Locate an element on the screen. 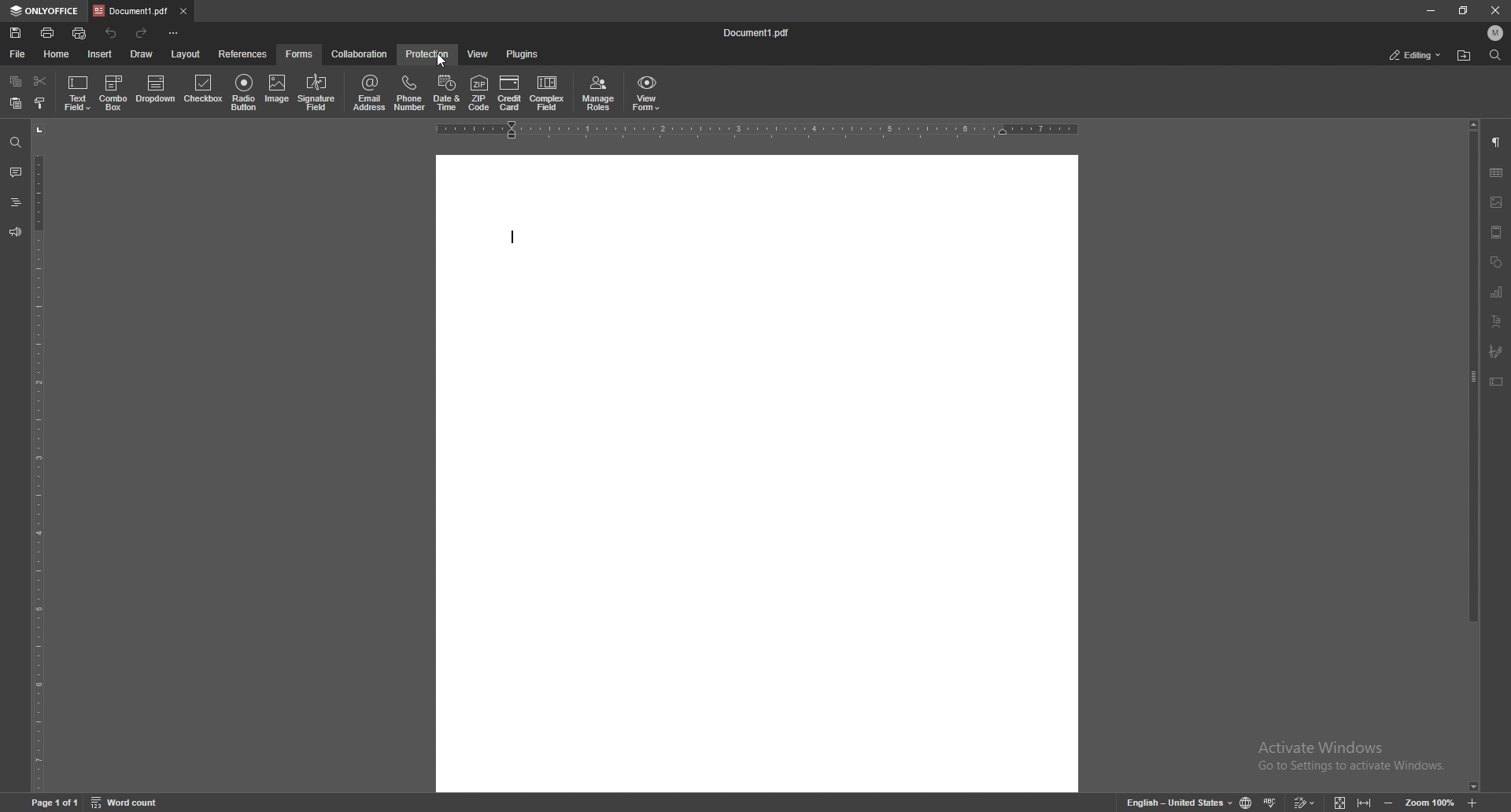  horizontal scale is located at coordinates (756, 129).